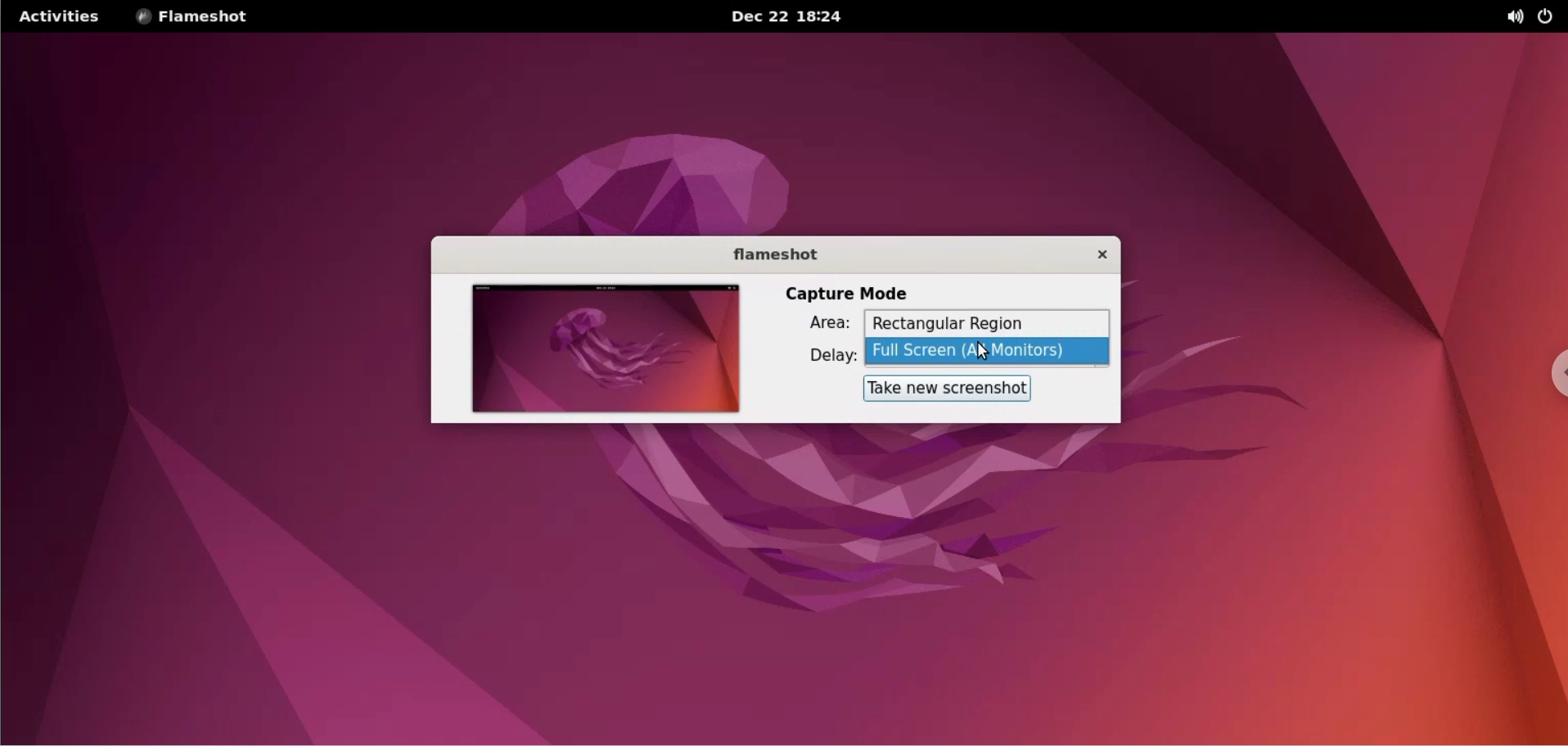 The width and height of the screenshot is (1568, 746). Describe the element at coordinates (990, 355) in the screenshot. I see `cursor` at that location.